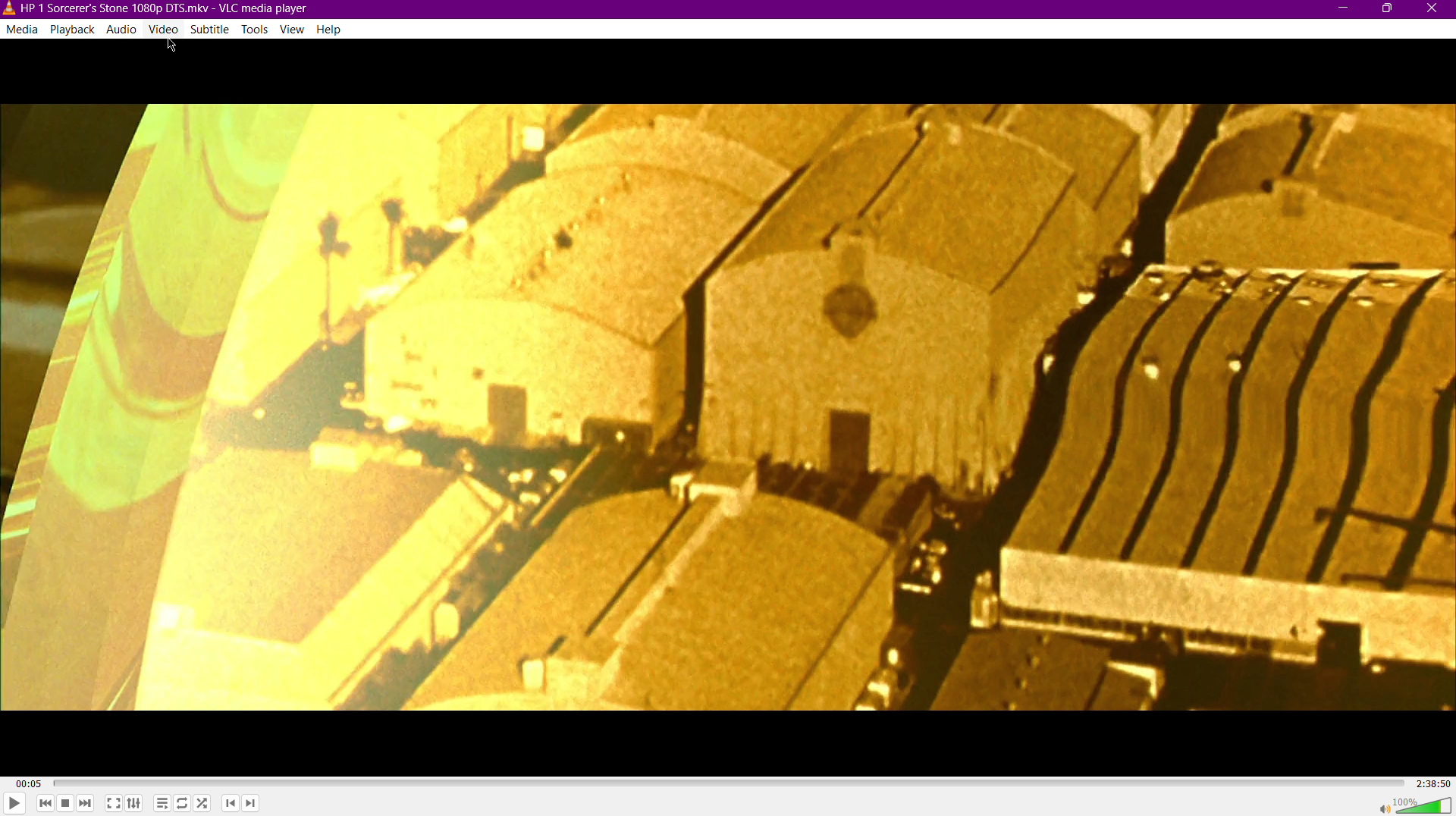 This screenshot has height=816, width=1456. What do you see at coordinates (112, 802) in the screenshot?
I see `Fullscreen` at bounding box center [112, 802].